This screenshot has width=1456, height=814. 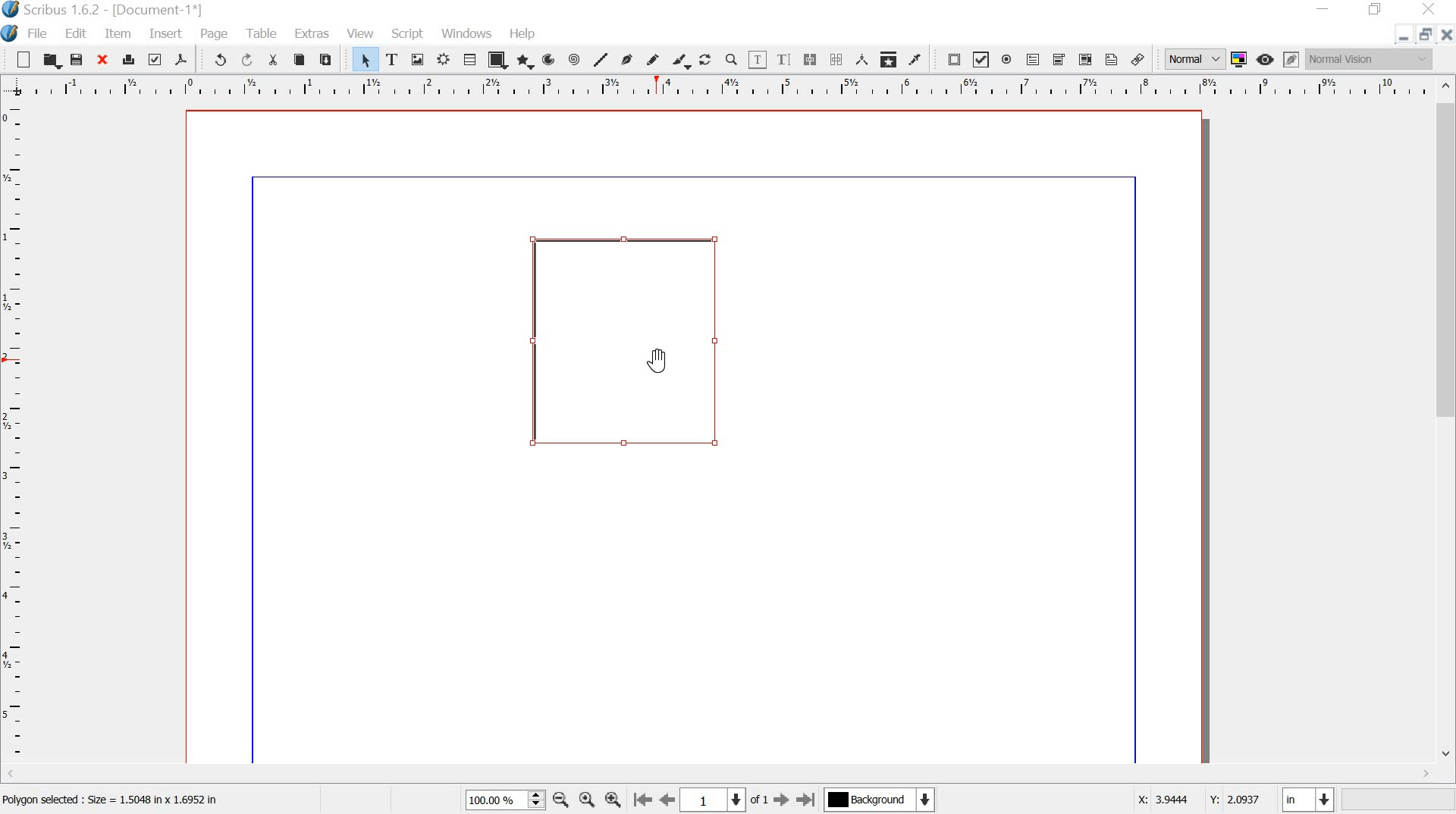 What do you see at coordinates (1447, 423) in the screenshot?
I see `scrollbar` at bounding box center [1447, 423].